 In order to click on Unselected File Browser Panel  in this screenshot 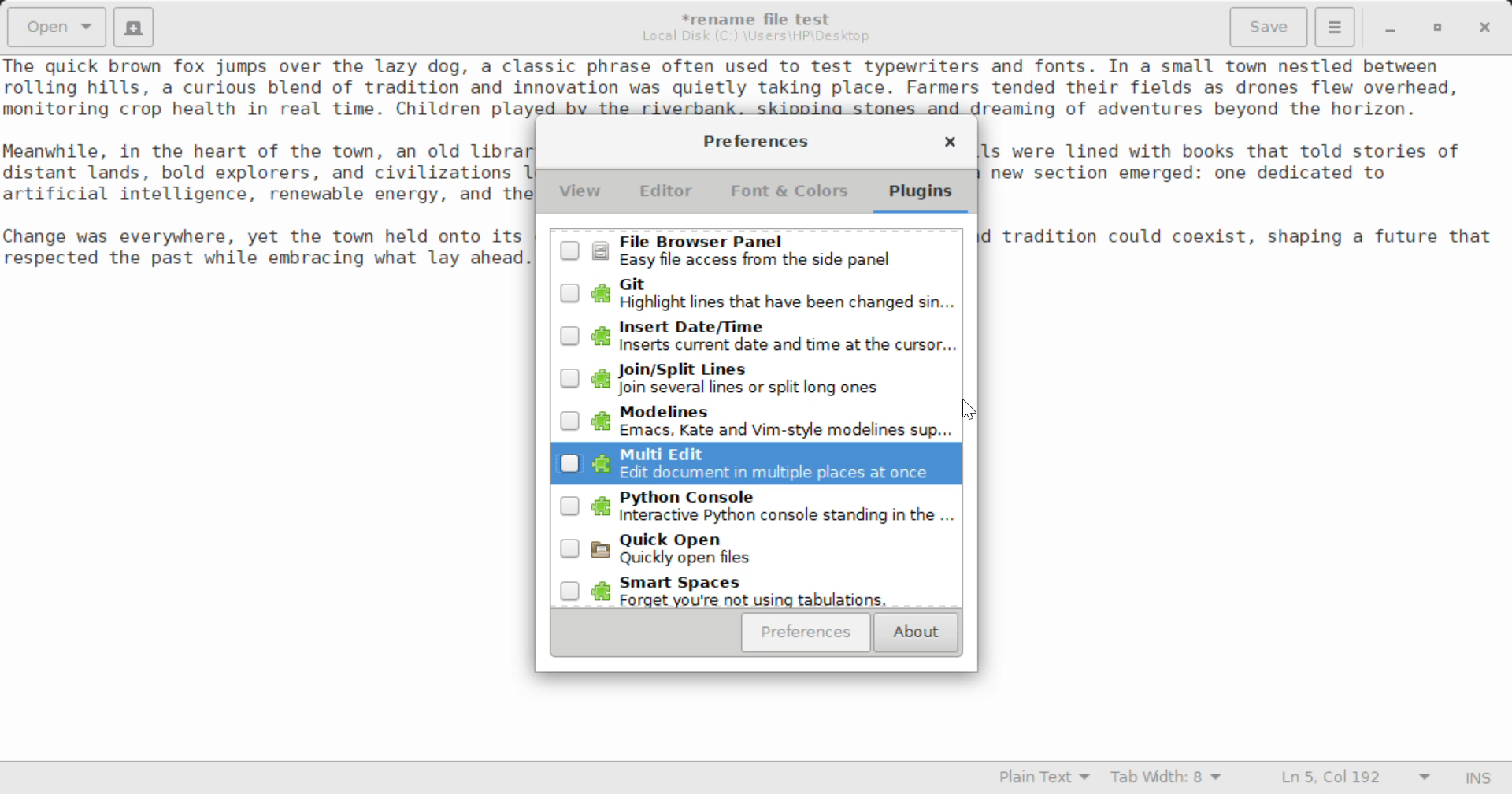, I will do `click(758, 250)`.